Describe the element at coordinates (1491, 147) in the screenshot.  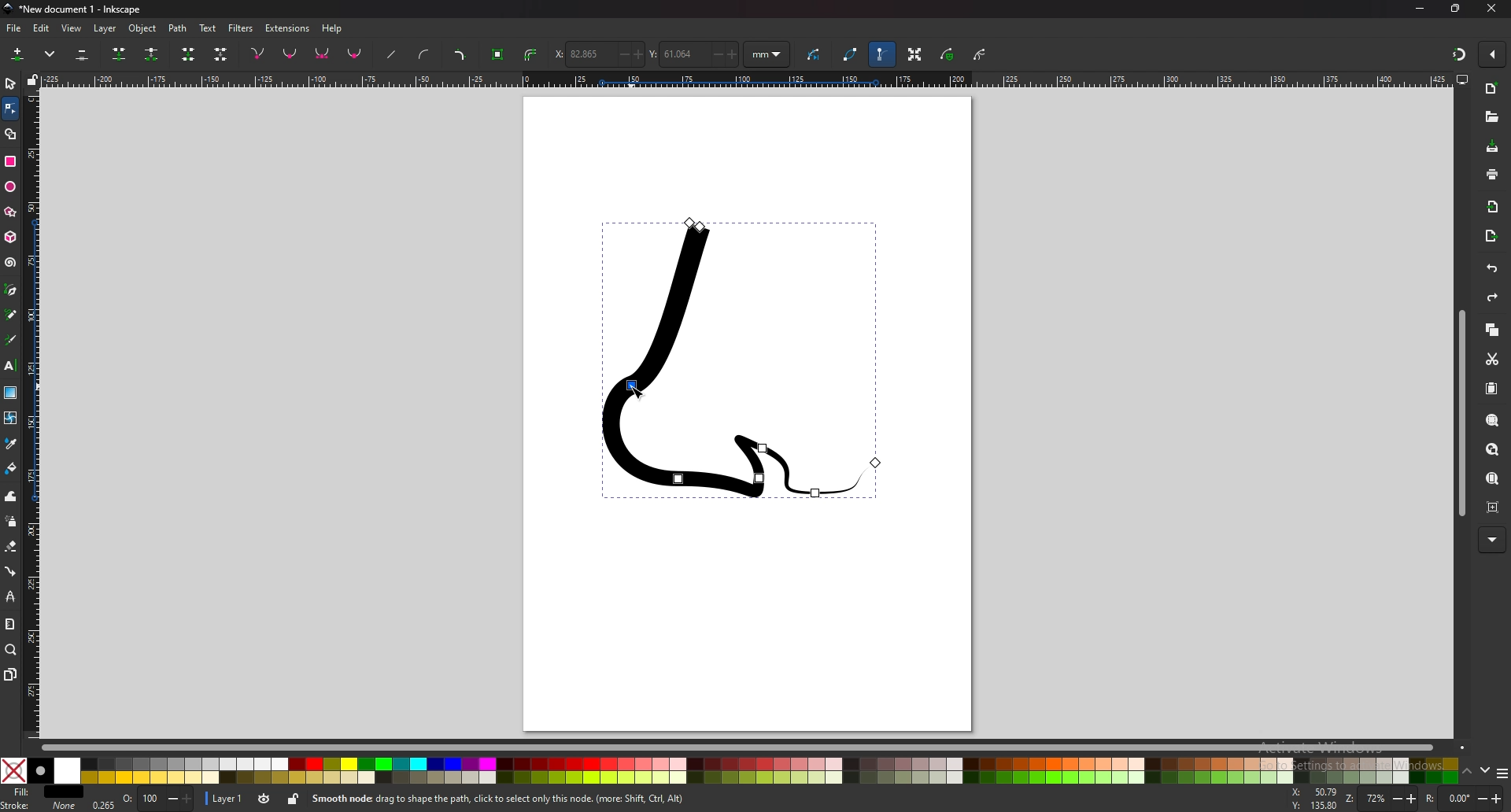
I see `save` at that location.